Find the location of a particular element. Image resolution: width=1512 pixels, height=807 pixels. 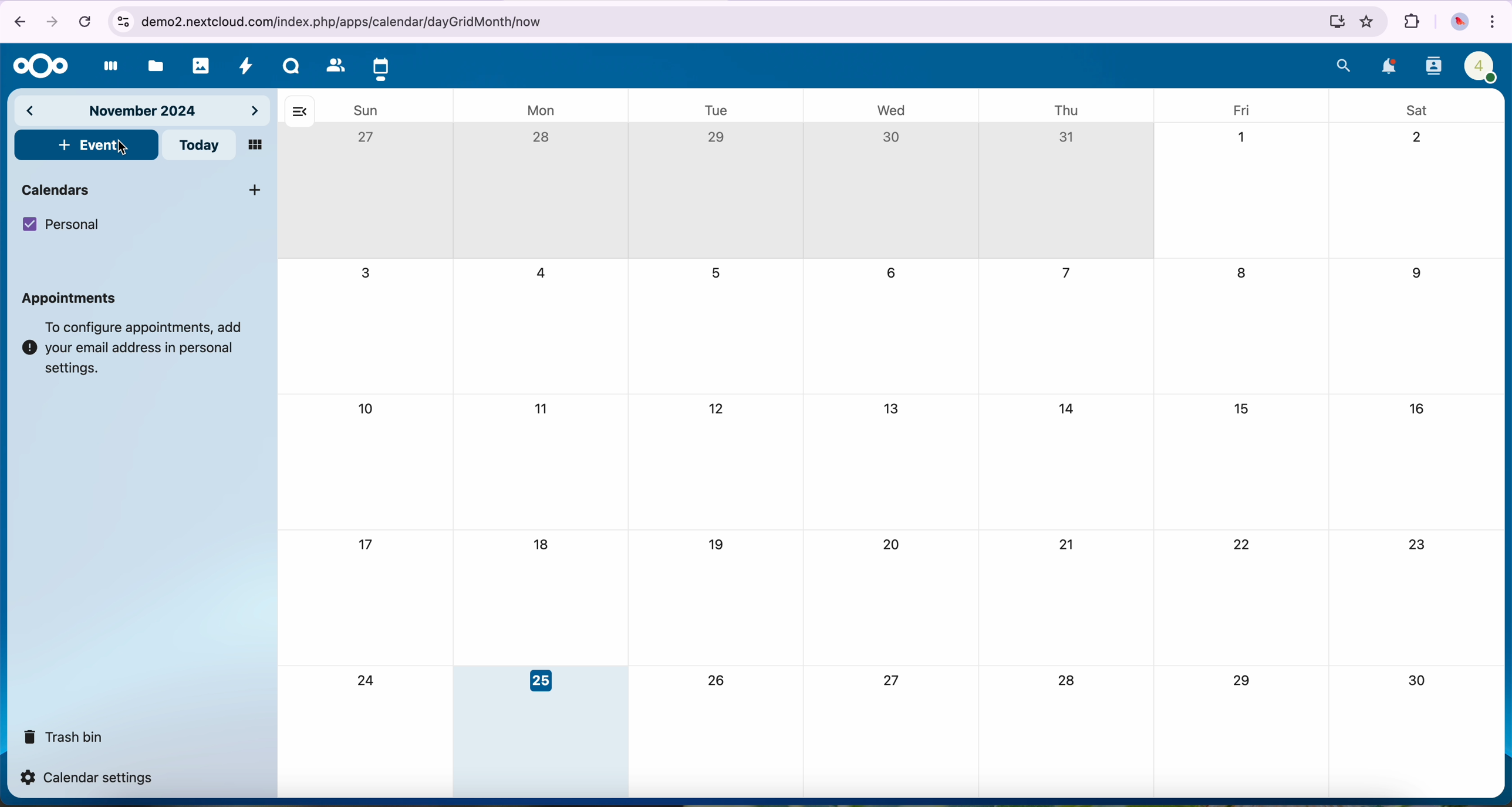

9 is located at coordinates (1415, 274).